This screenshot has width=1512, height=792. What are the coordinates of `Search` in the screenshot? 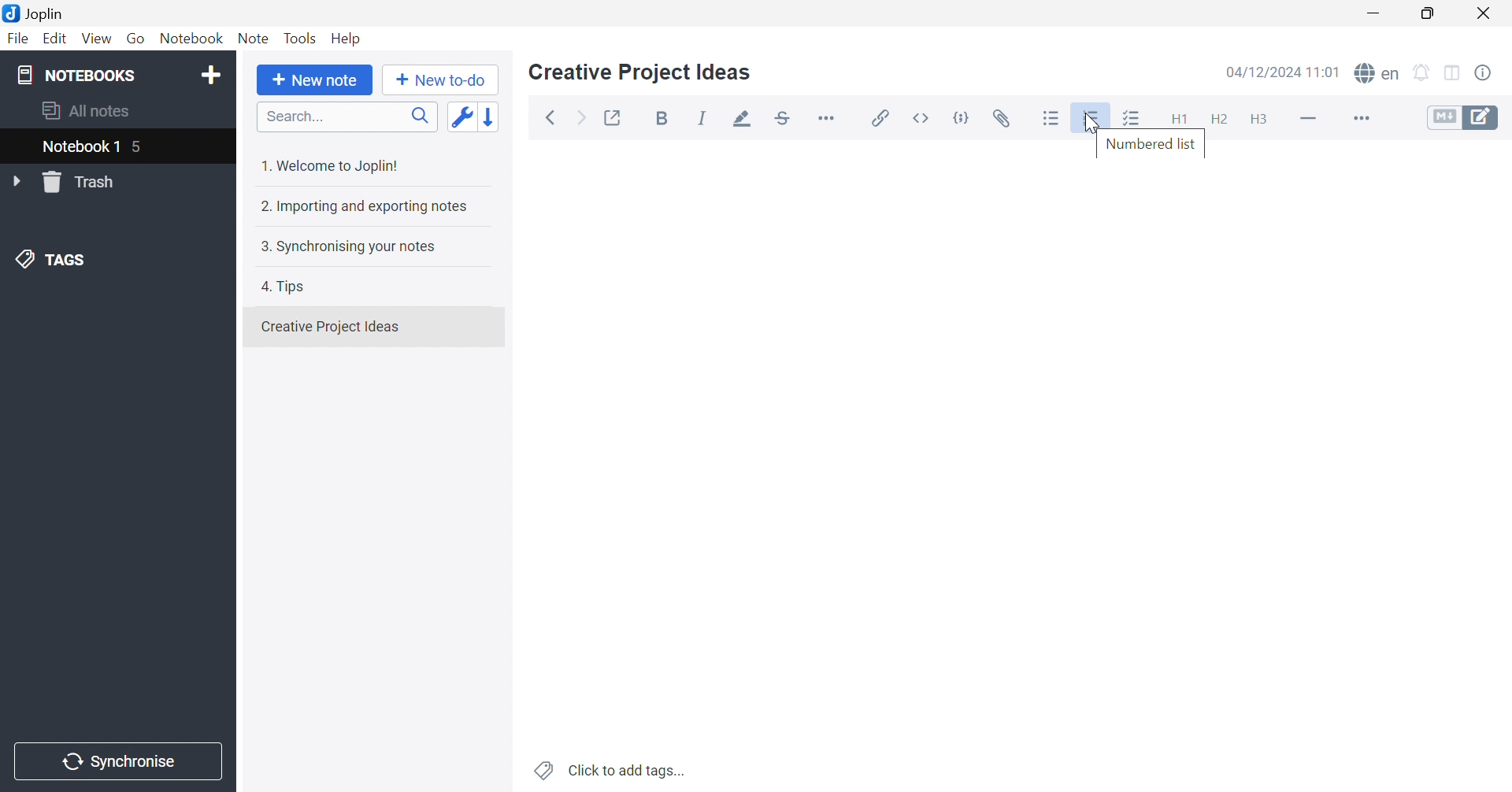 It's located at (347, 118).